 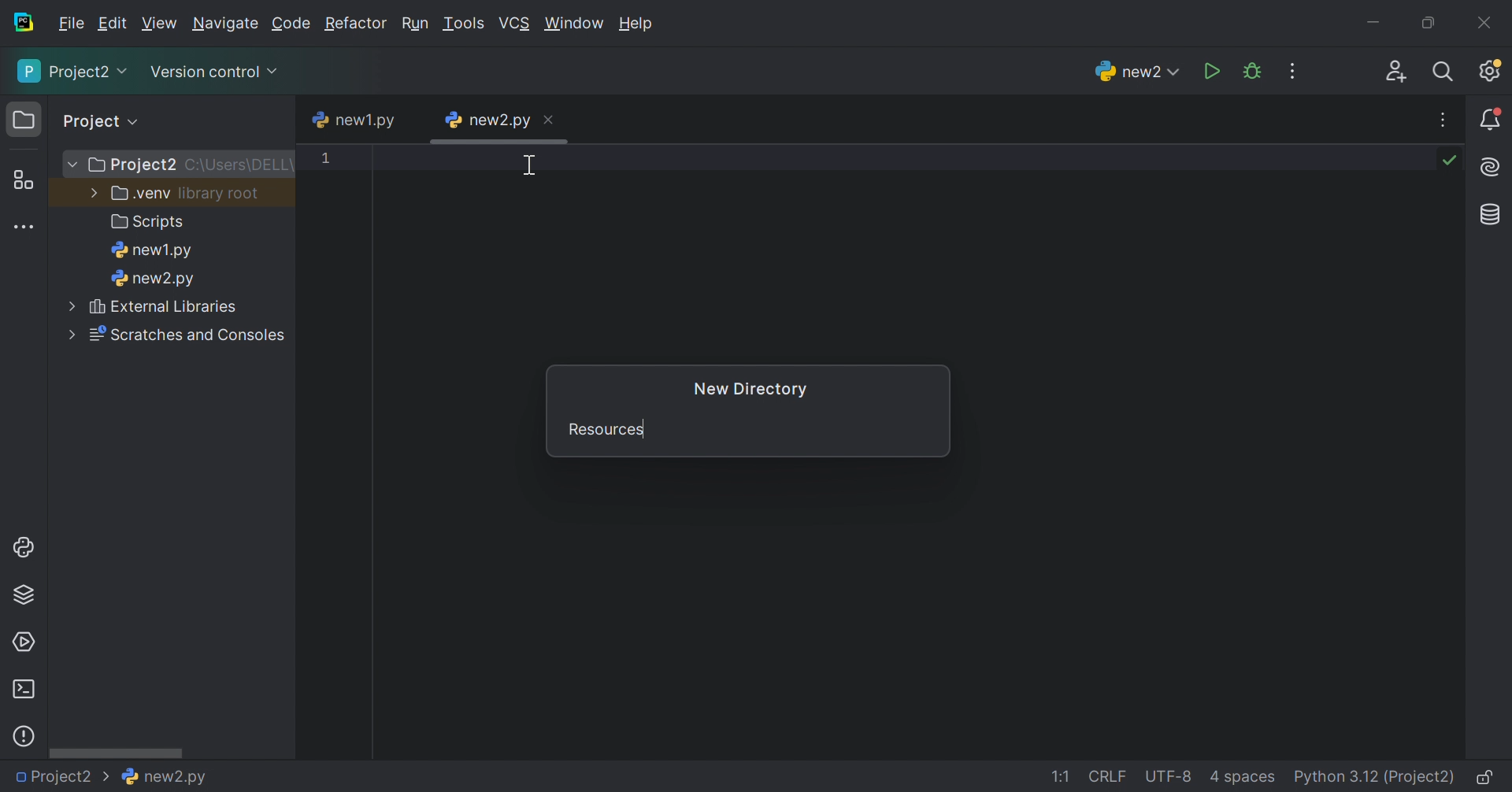 I want to click on Scroll bar, so click(x=114, y=749).